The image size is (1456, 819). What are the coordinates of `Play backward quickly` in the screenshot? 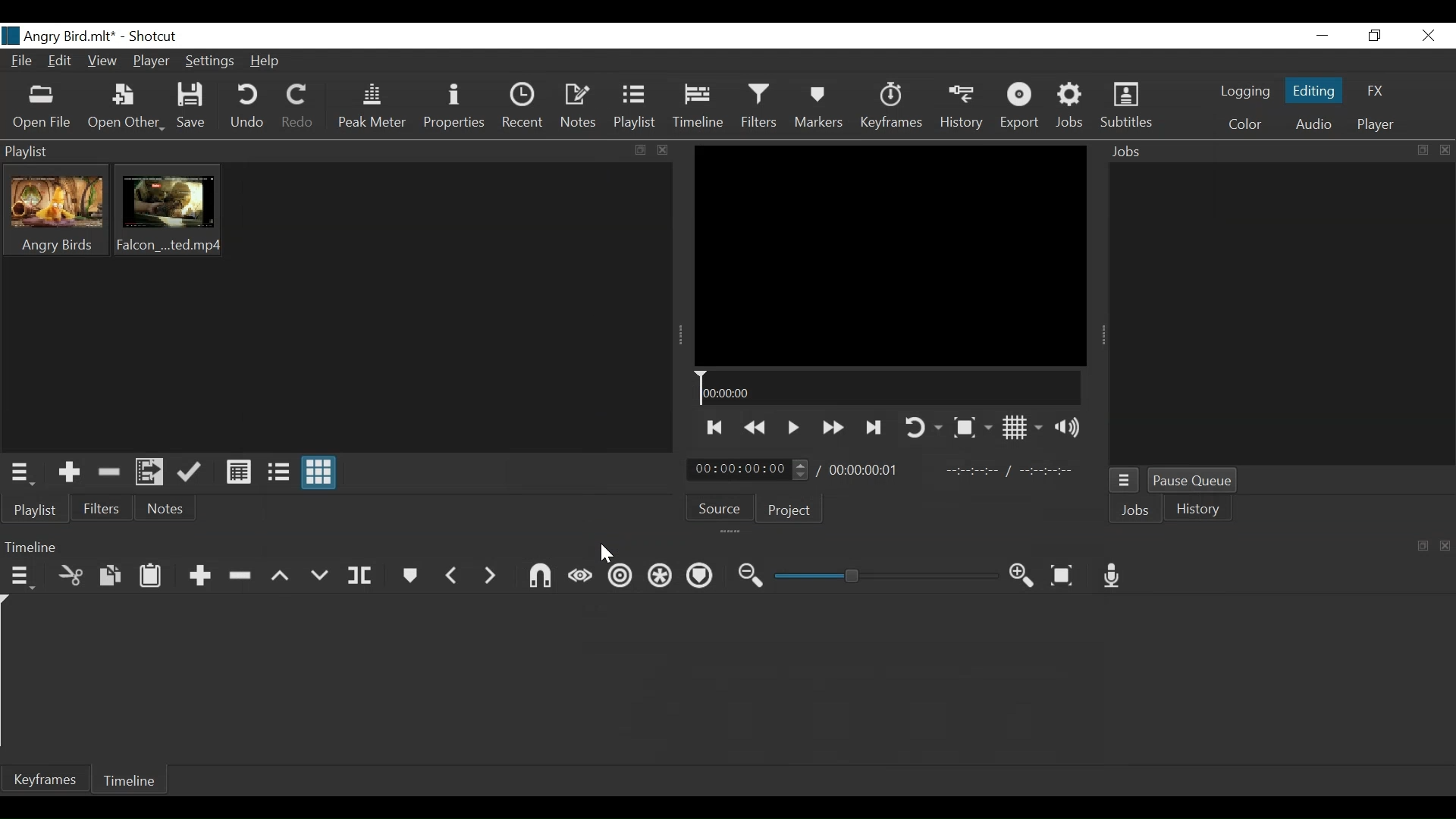 It's located at (754, 426).